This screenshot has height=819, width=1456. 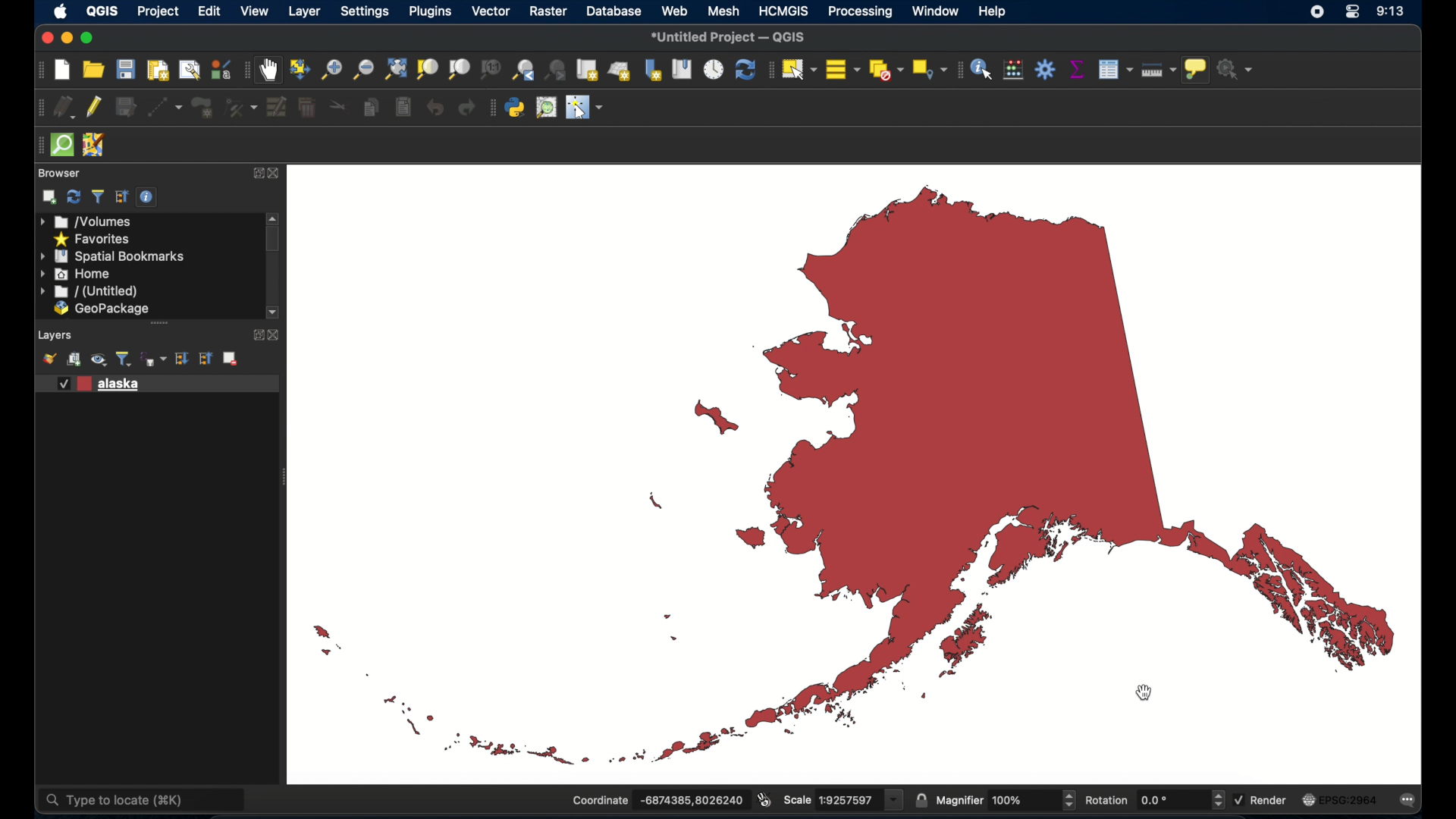 What do you see at coordinates (1117, 69) in the screenshot?
I see `open attribute table` at bounding box center [1117, 69].